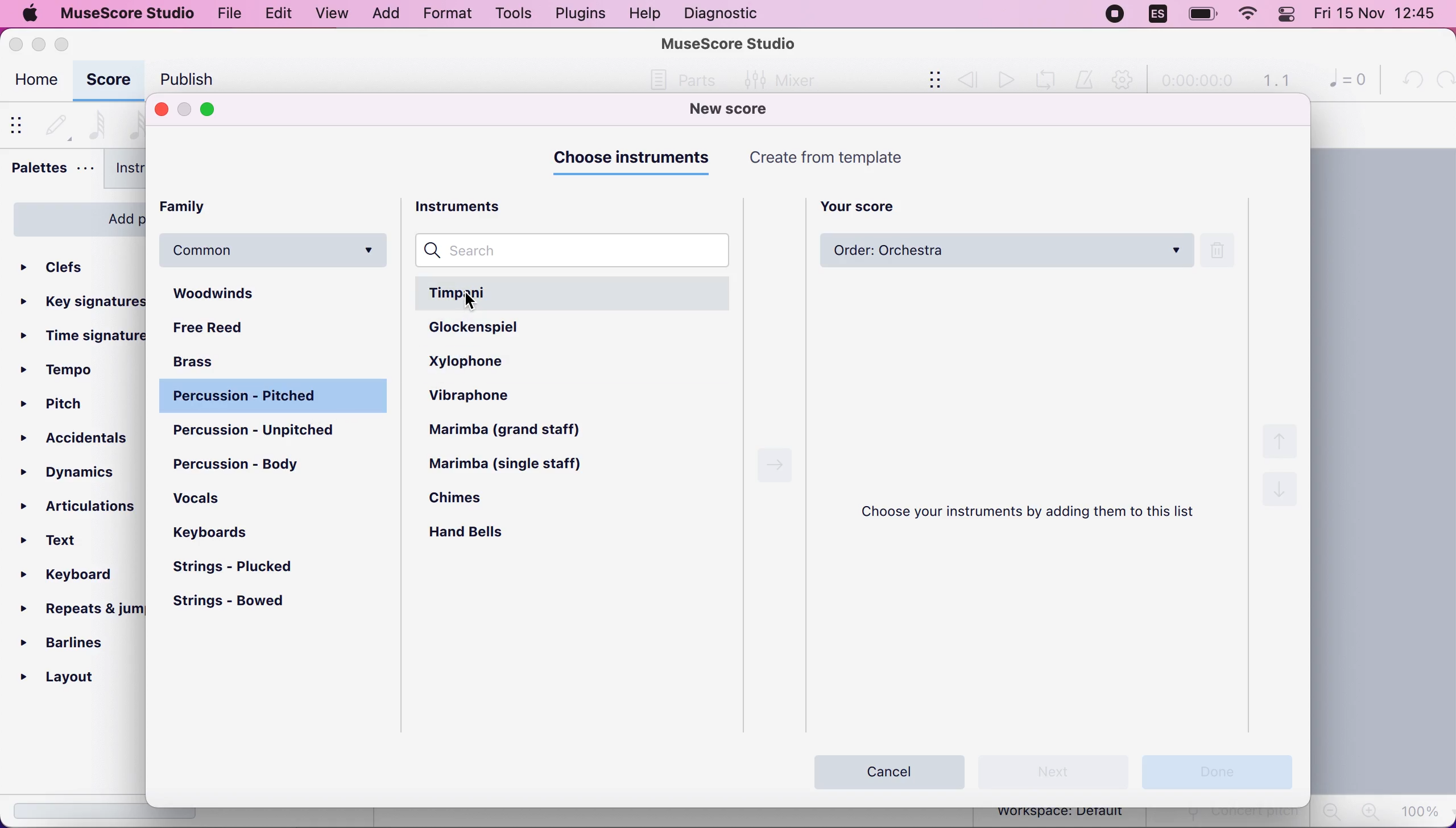 This screenshot has height=828, width=1456. What do you see at coordinates (1379, 15) in the screenshot?
I see `Fri 15 Nov 12:44` at bounding box center [1379, 15].